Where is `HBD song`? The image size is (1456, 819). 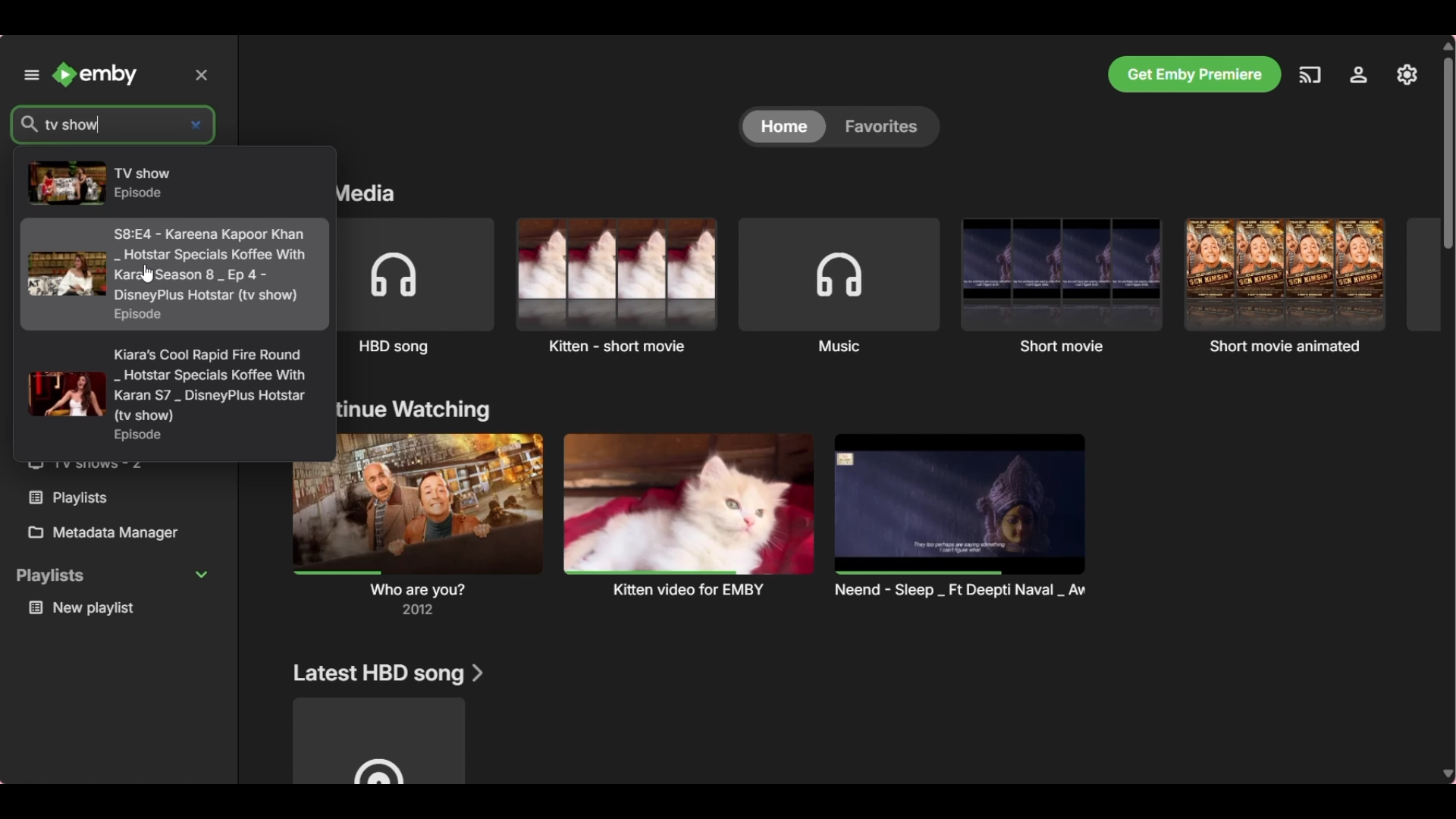
HBD song is located at coordinates (419, 287).